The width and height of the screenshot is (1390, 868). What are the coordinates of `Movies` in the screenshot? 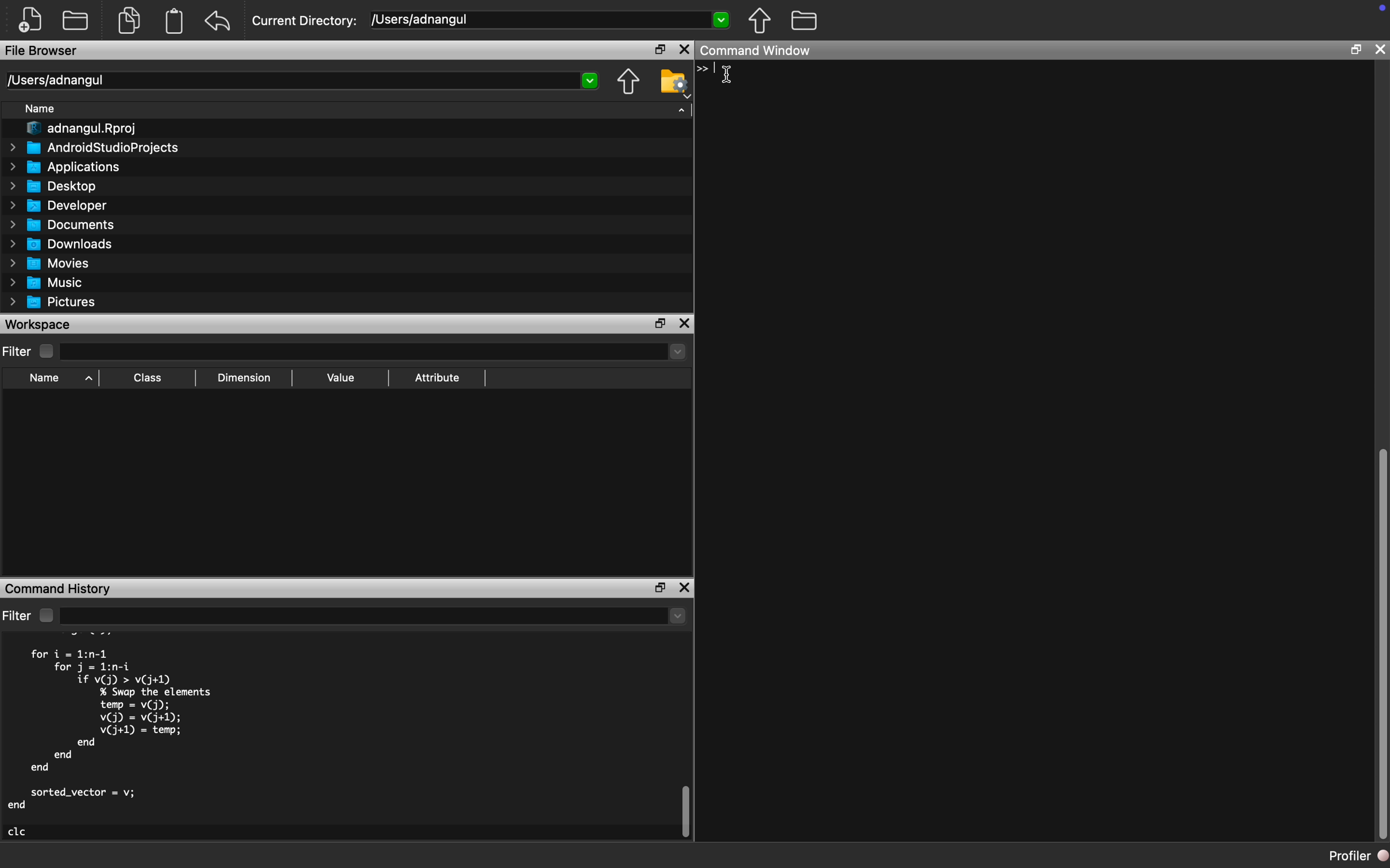 It's located at (50, 264).